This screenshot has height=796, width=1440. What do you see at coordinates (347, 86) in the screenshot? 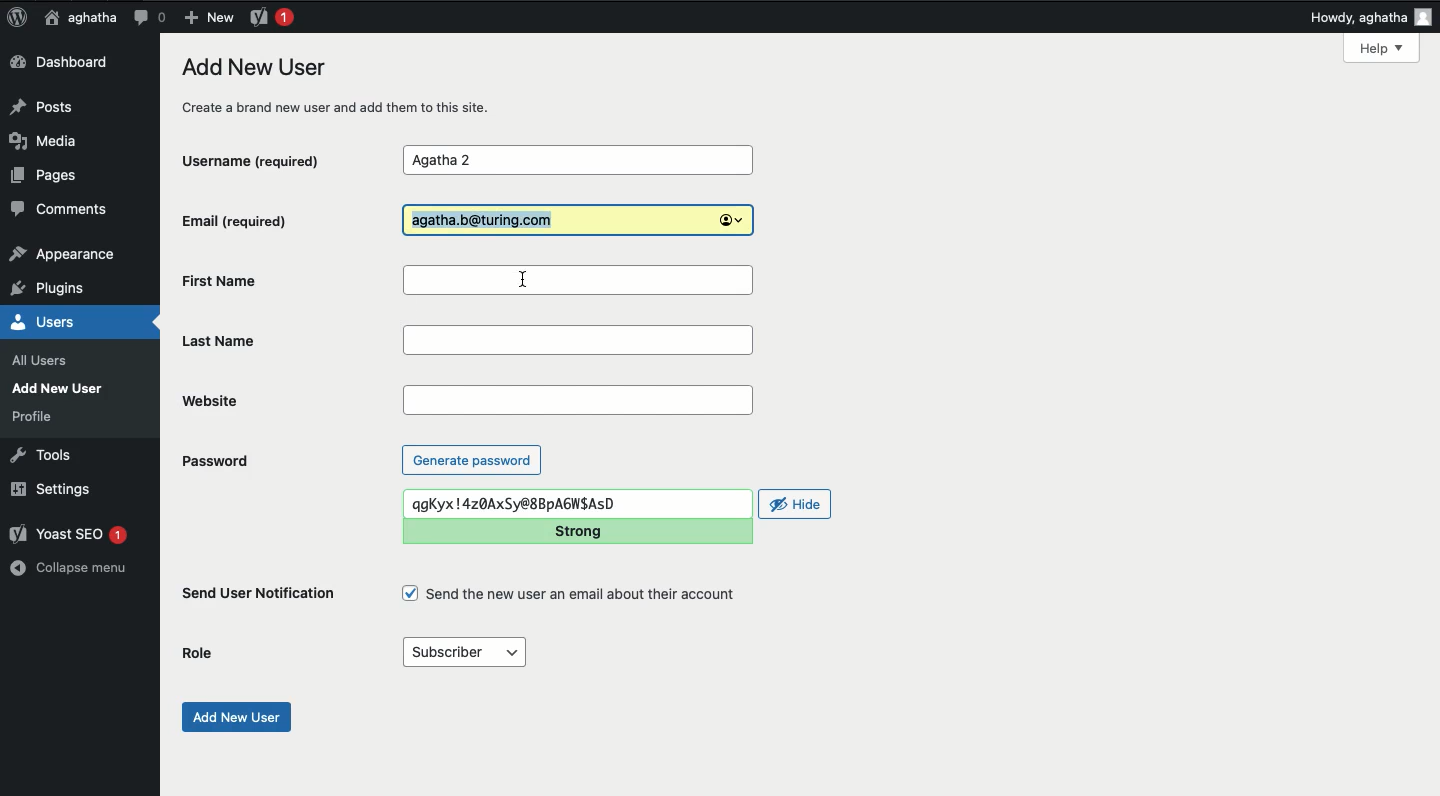
I see `Add new user create a brand new user and add them to this site.` at bounding box center [347, 86].